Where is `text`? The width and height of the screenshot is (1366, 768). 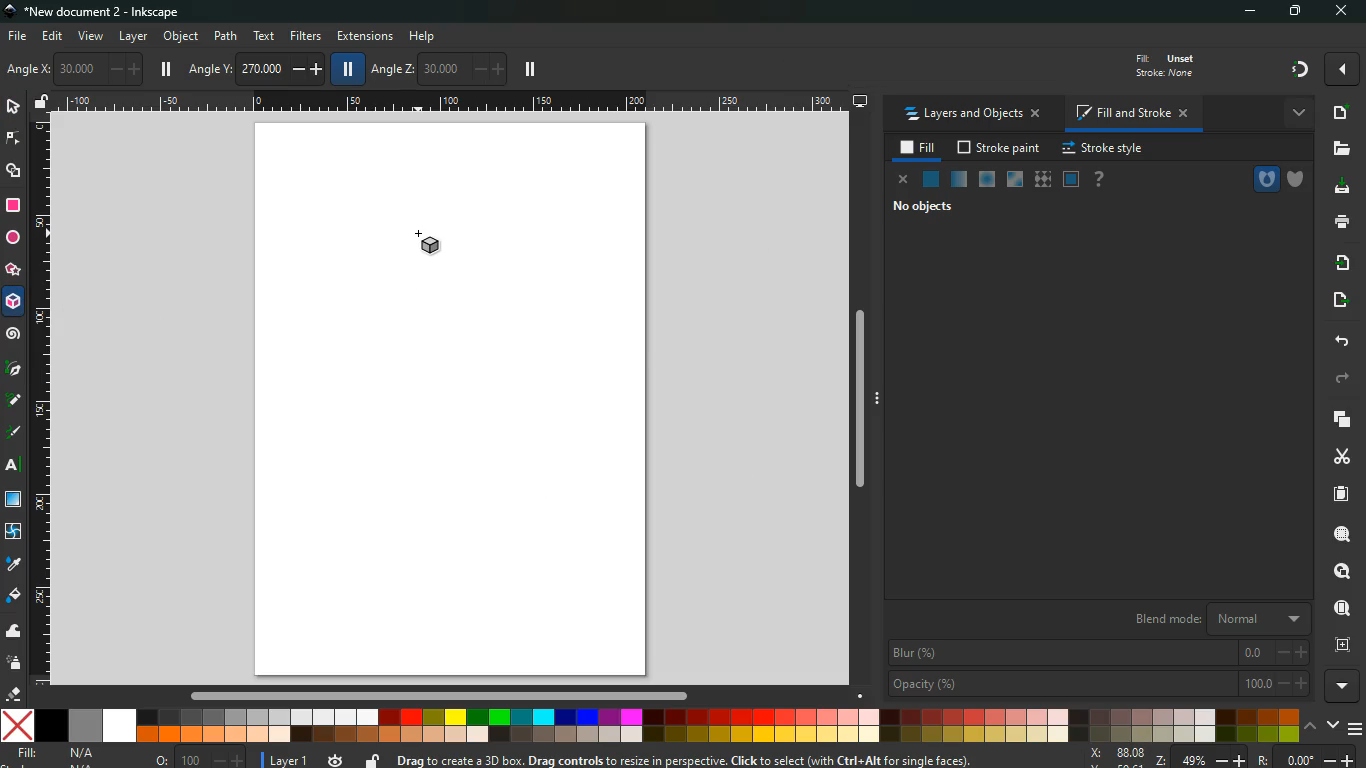
text is located at coordinates (15, 467).